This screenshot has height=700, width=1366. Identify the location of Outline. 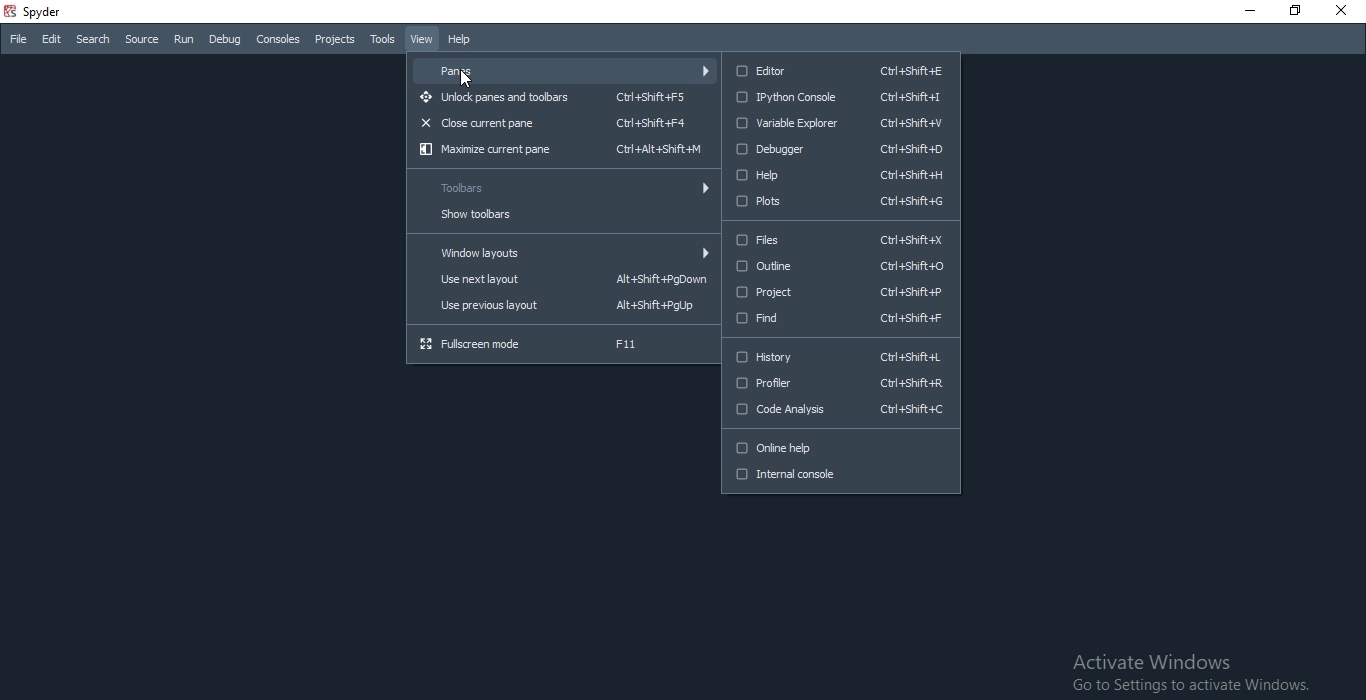
(838, 267).